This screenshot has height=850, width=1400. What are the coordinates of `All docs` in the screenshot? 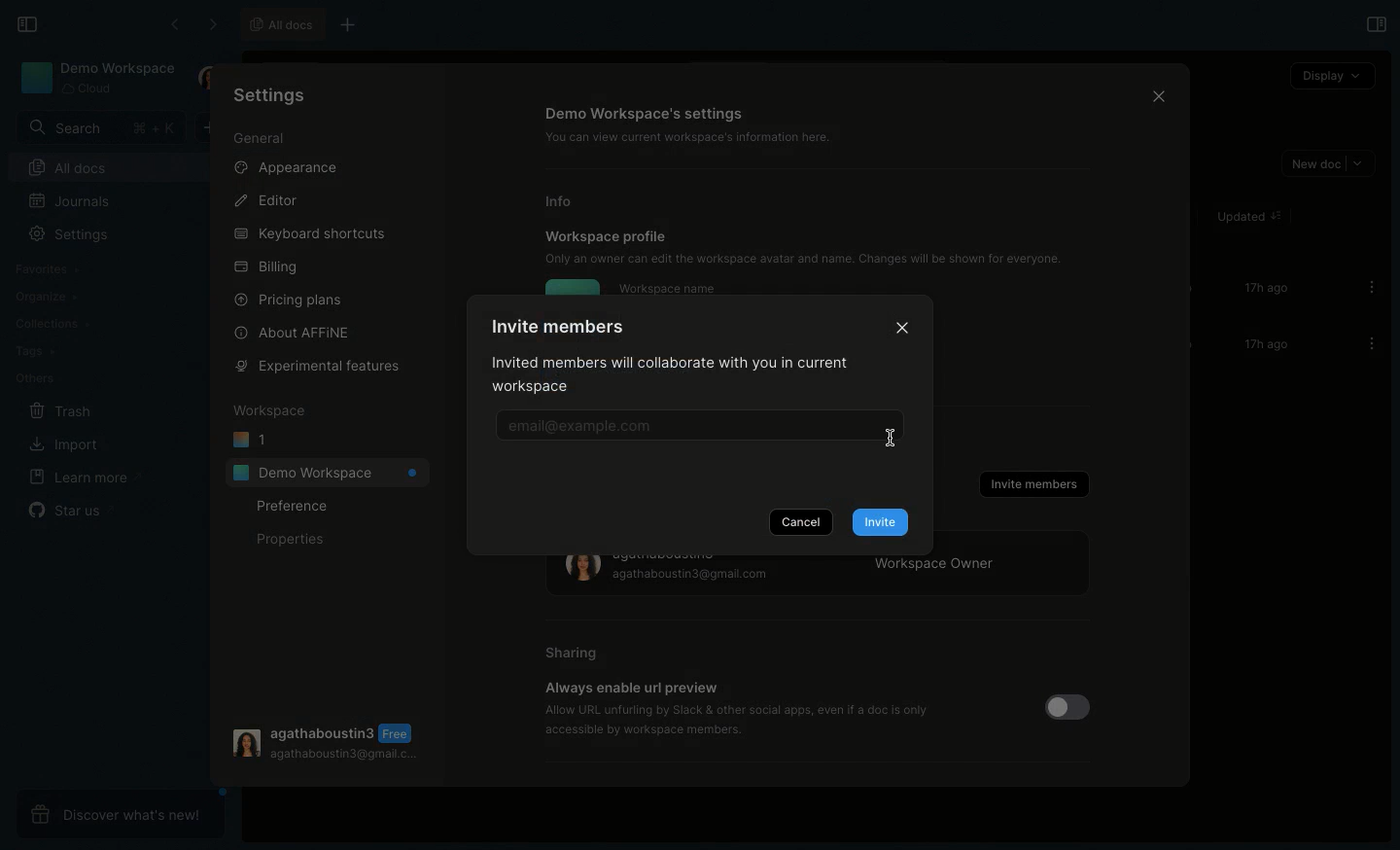 It's located at (115, 167).